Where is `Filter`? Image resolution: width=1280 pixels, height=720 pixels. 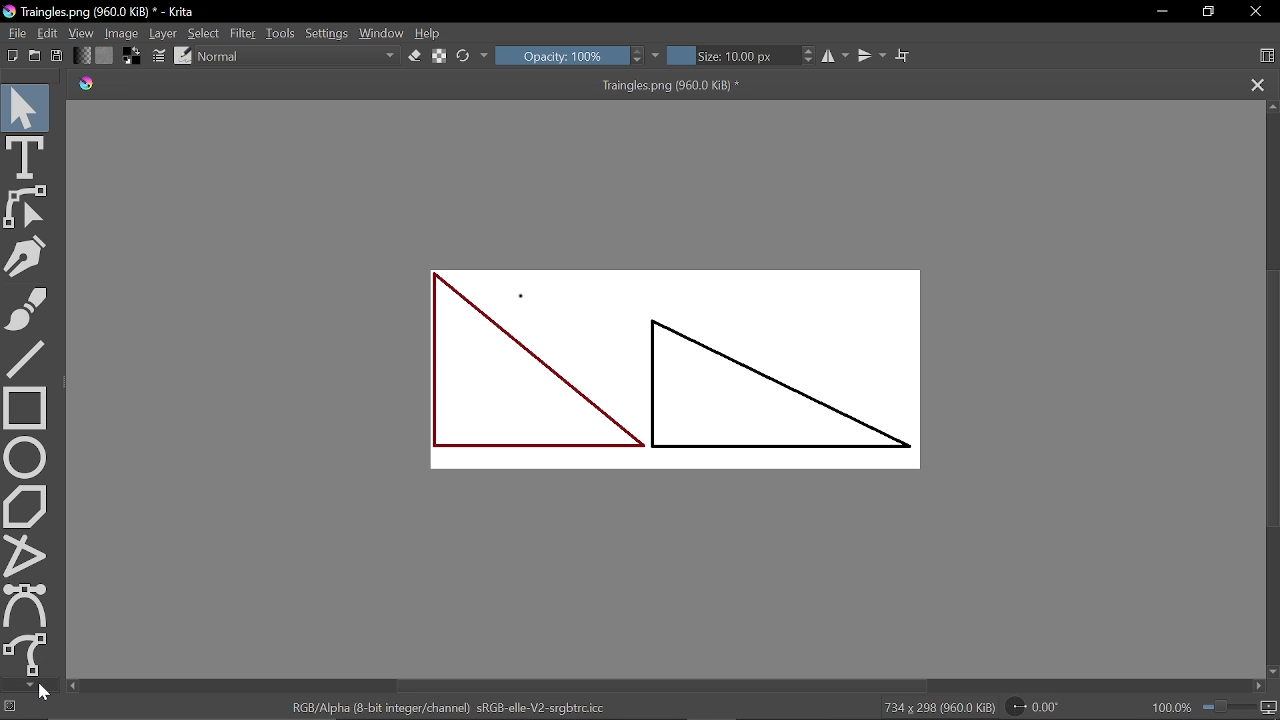
Filter is located at coordinates (244, 32).